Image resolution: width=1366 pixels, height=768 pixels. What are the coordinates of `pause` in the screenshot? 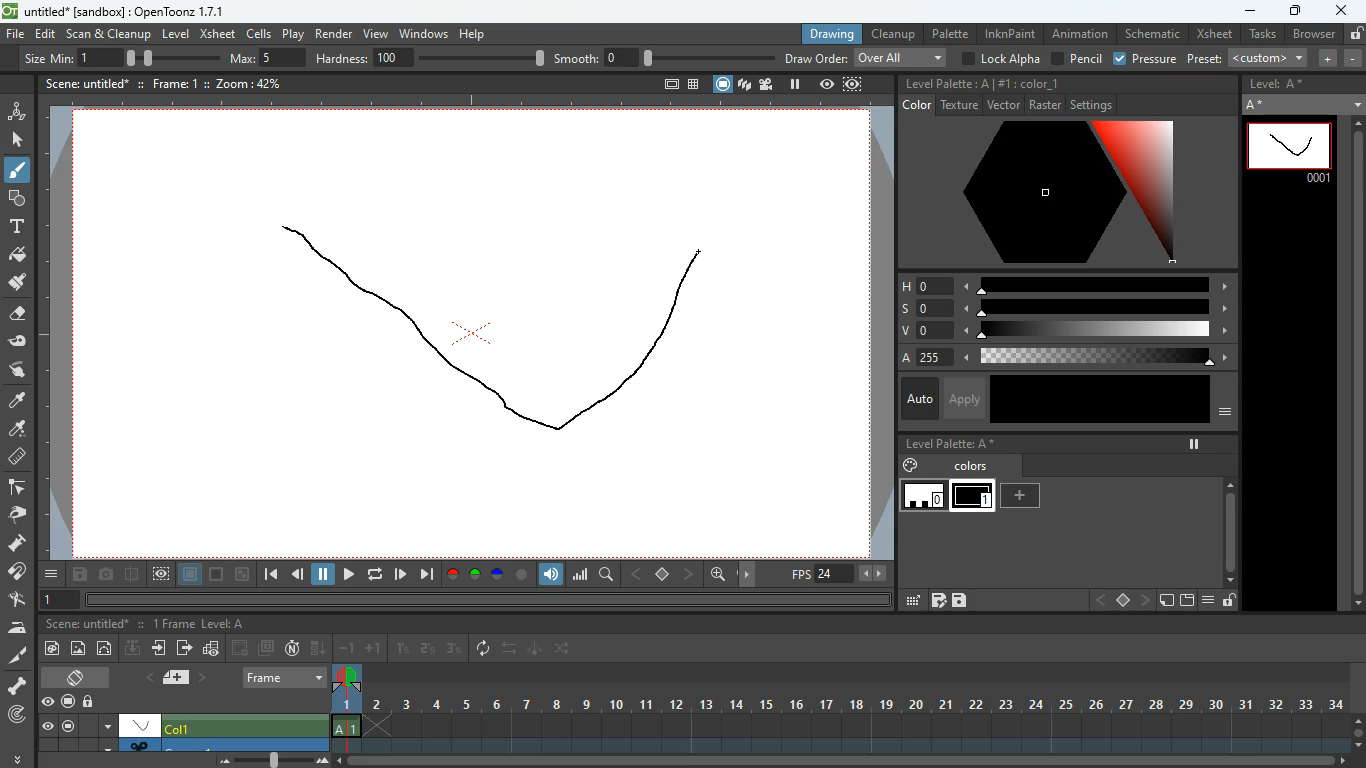 It's located at (795, 84).